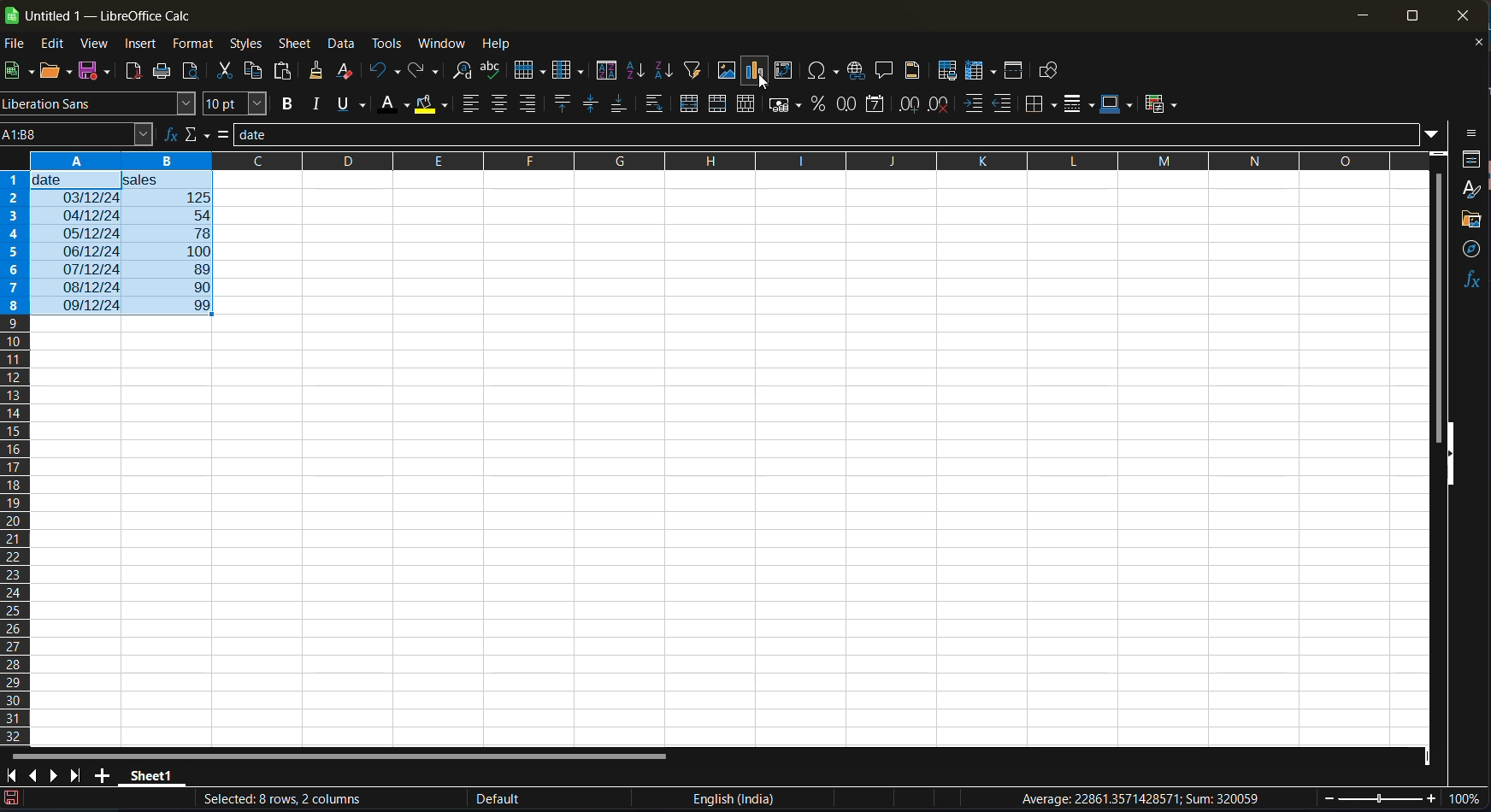  I want to click on new, so click(15, 72).